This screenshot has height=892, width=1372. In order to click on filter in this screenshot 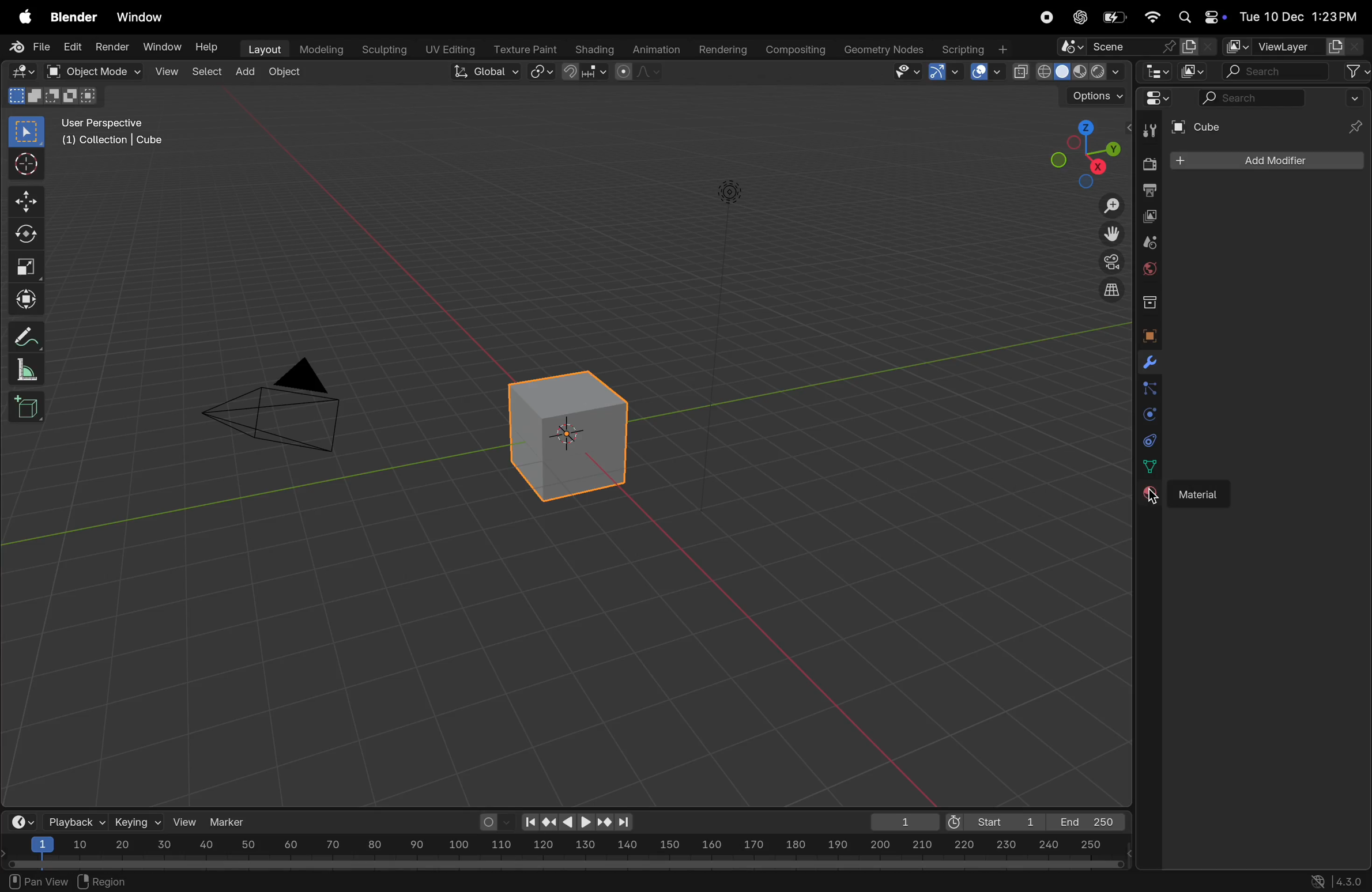, I will do `click(1356, 71)`.